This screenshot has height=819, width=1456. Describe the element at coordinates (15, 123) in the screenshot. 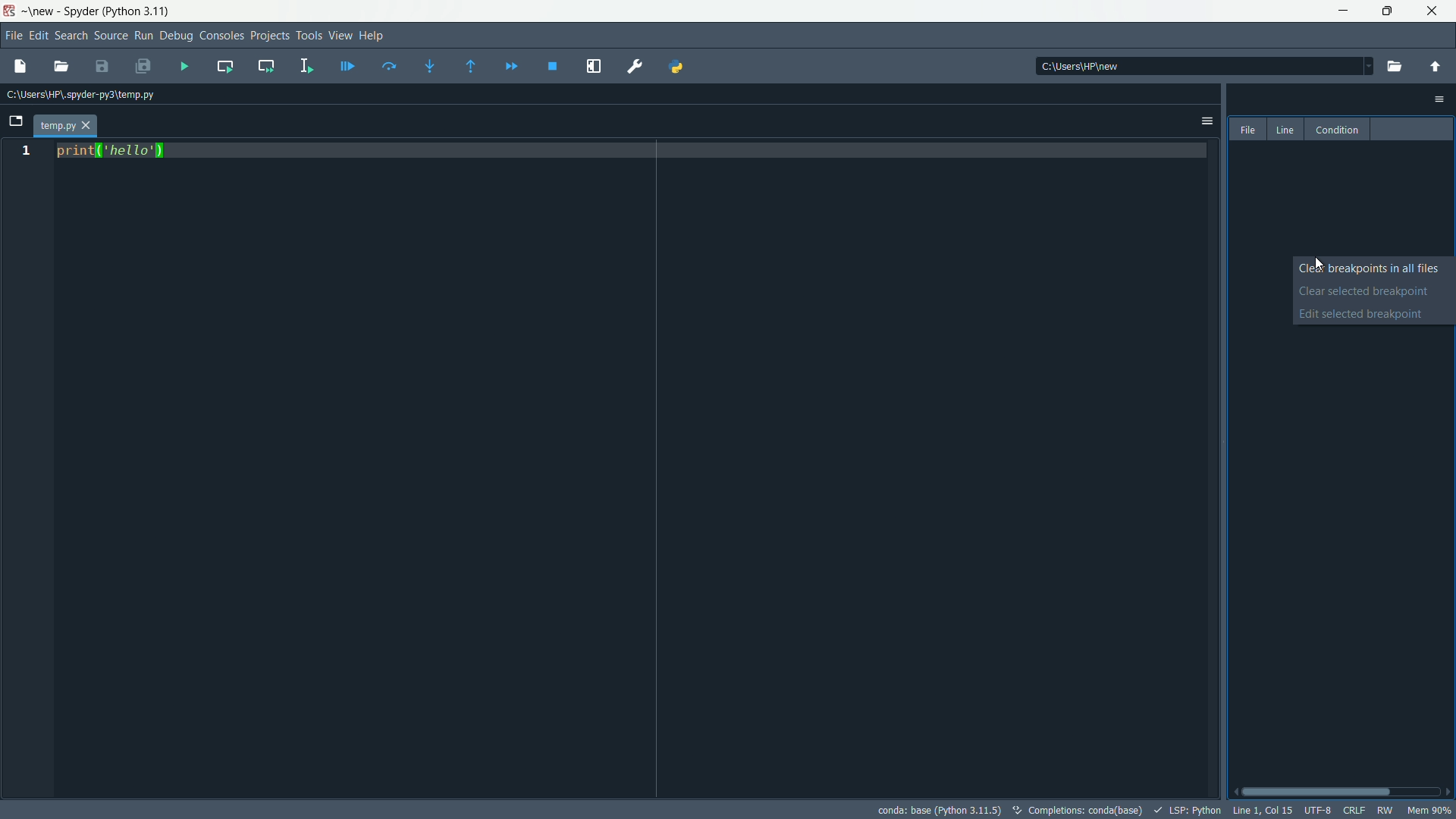

I see `browse tabs` at that location.